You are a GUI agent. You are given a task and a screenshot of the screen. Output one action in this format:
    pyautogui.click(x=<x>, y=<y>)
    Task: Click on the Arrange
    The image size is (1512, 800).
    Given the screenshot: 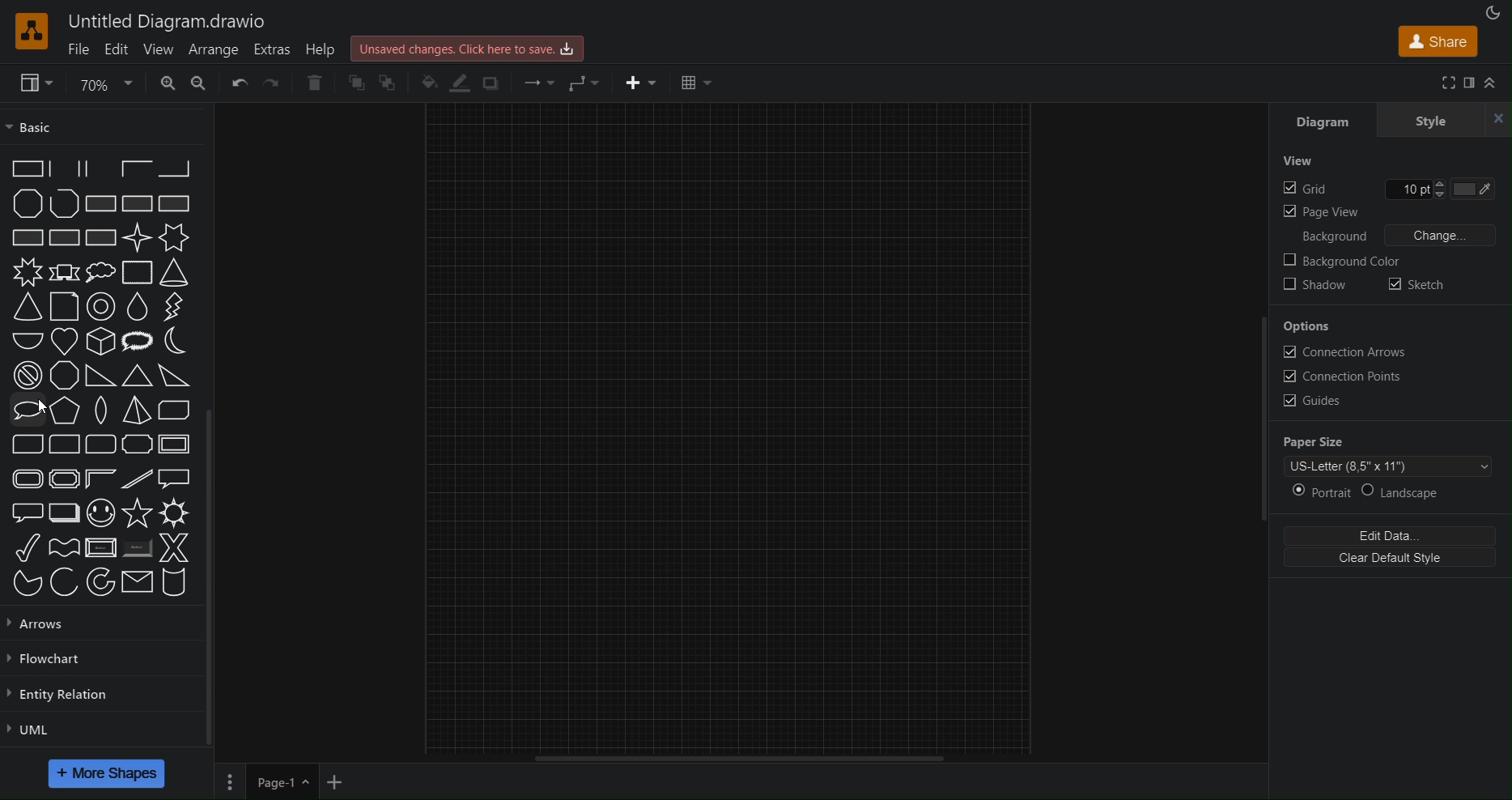 What is the action you would take?
    pyautogui.click(x=212, y=48)
    